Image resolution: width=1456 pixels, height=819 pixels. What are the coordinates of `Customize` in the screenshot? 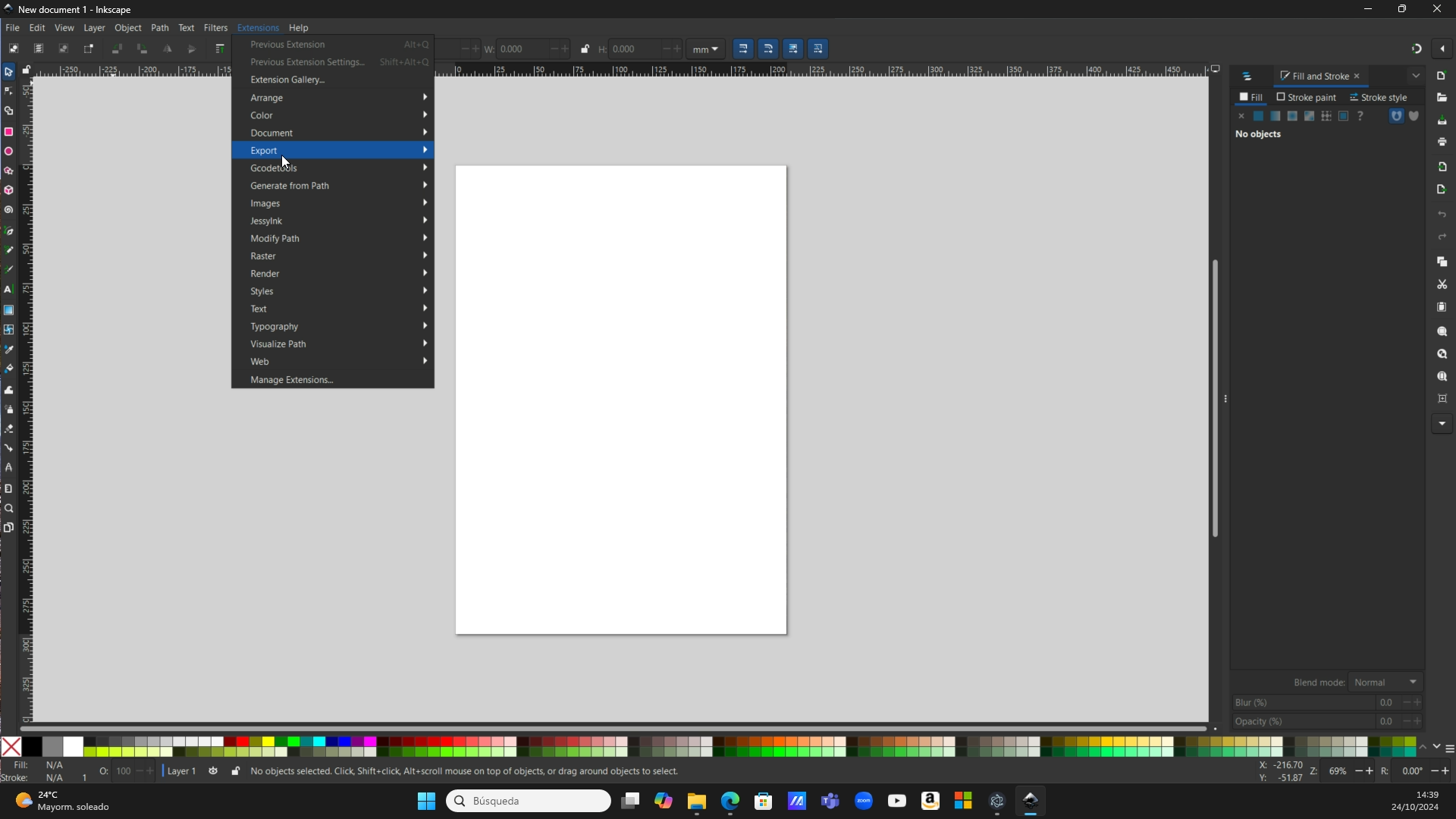 It's located at (1404, 119).